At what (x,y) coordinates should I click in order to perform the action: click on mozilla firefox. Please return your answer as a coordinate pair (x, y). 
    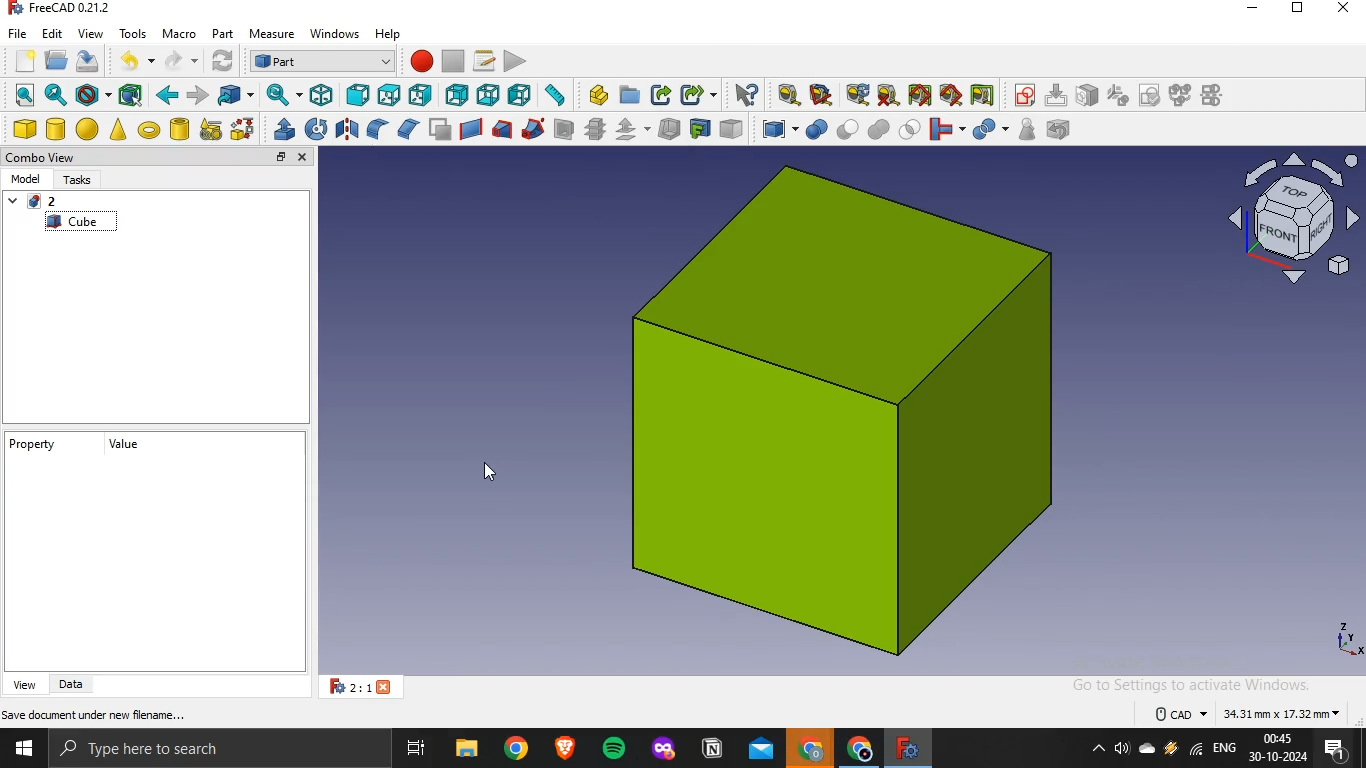
    Looking at the image, I should click on (663, 750).